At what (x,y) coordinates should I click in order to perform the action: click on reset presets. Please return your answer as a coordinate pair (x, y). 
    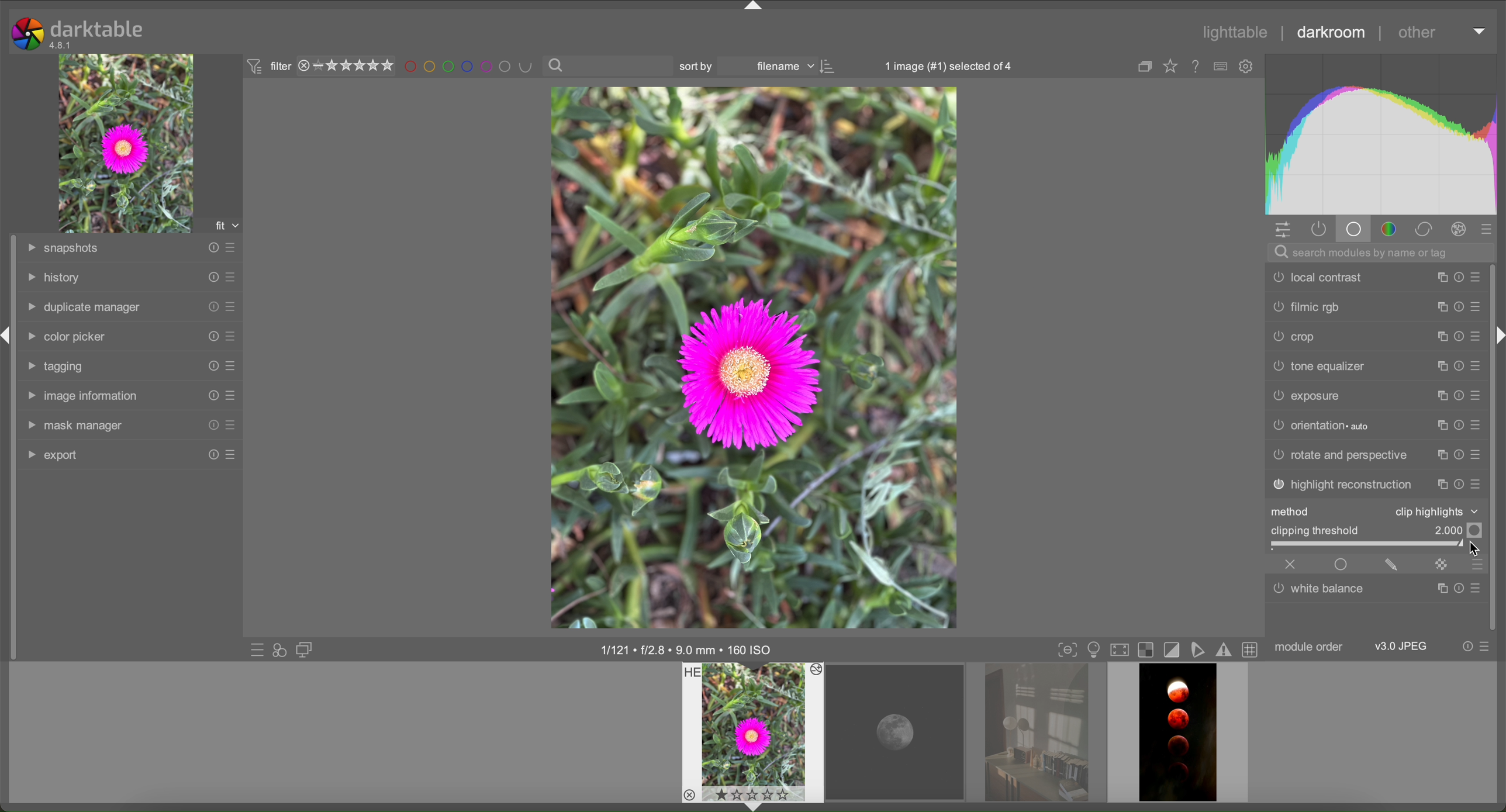
    Looking at the image, I should click on (210, 395).